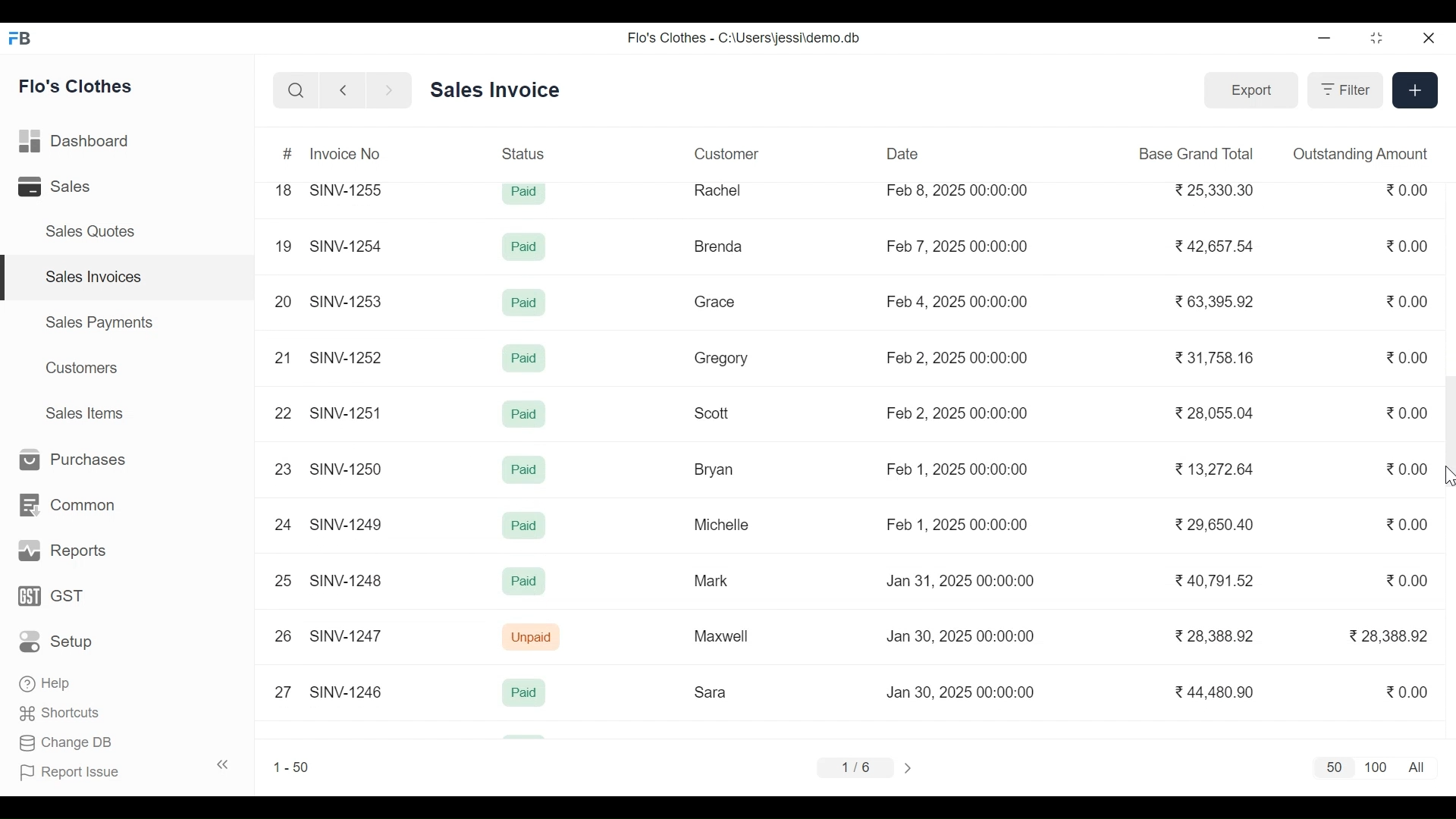  What do you see at coordinates (524, 692) in the screenshot?
I see `Paid` at bounding box center [524, 692].